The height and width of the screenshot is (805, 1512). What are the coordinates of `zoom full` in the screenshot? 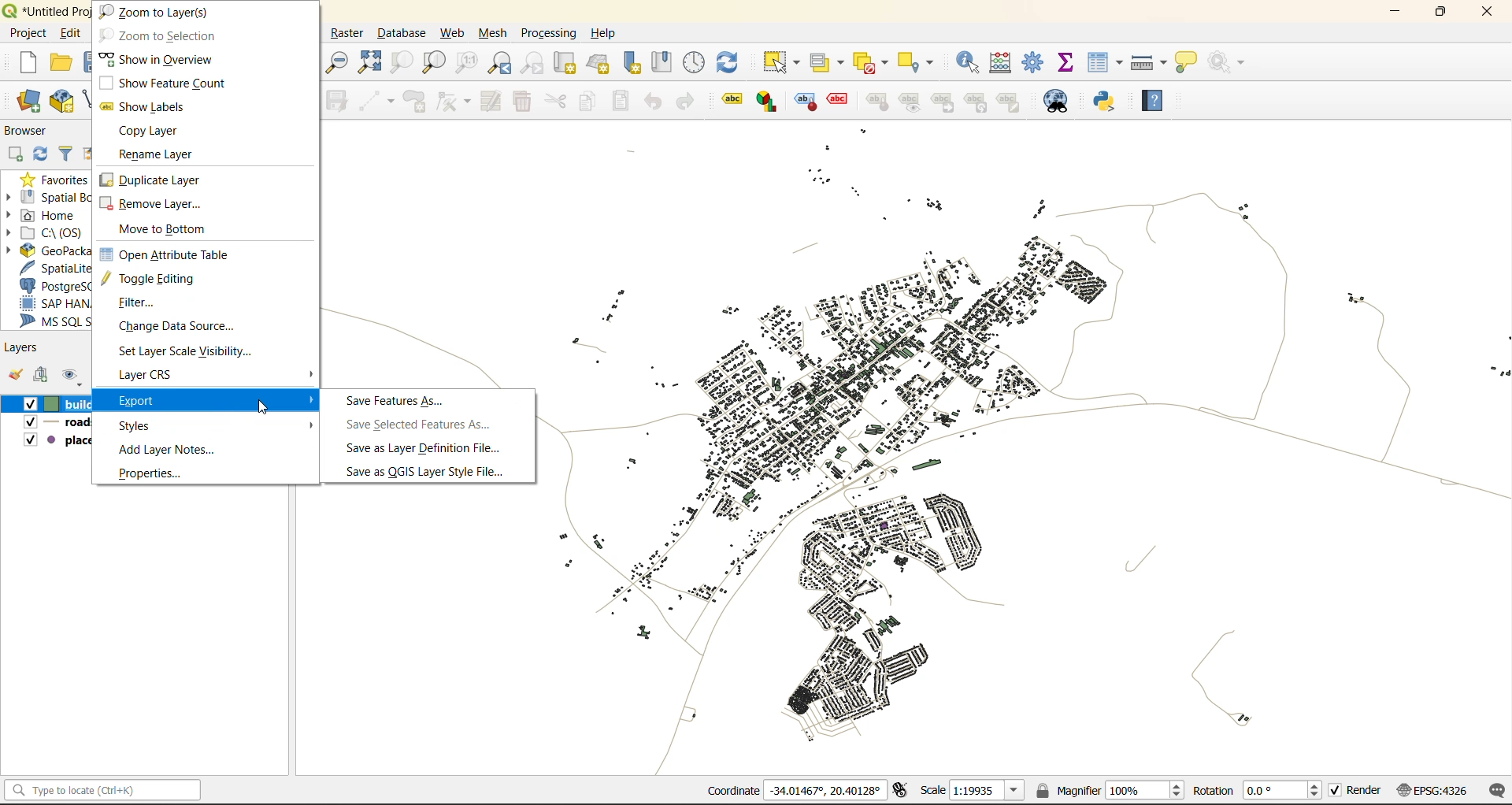 It's located at (369, 62).